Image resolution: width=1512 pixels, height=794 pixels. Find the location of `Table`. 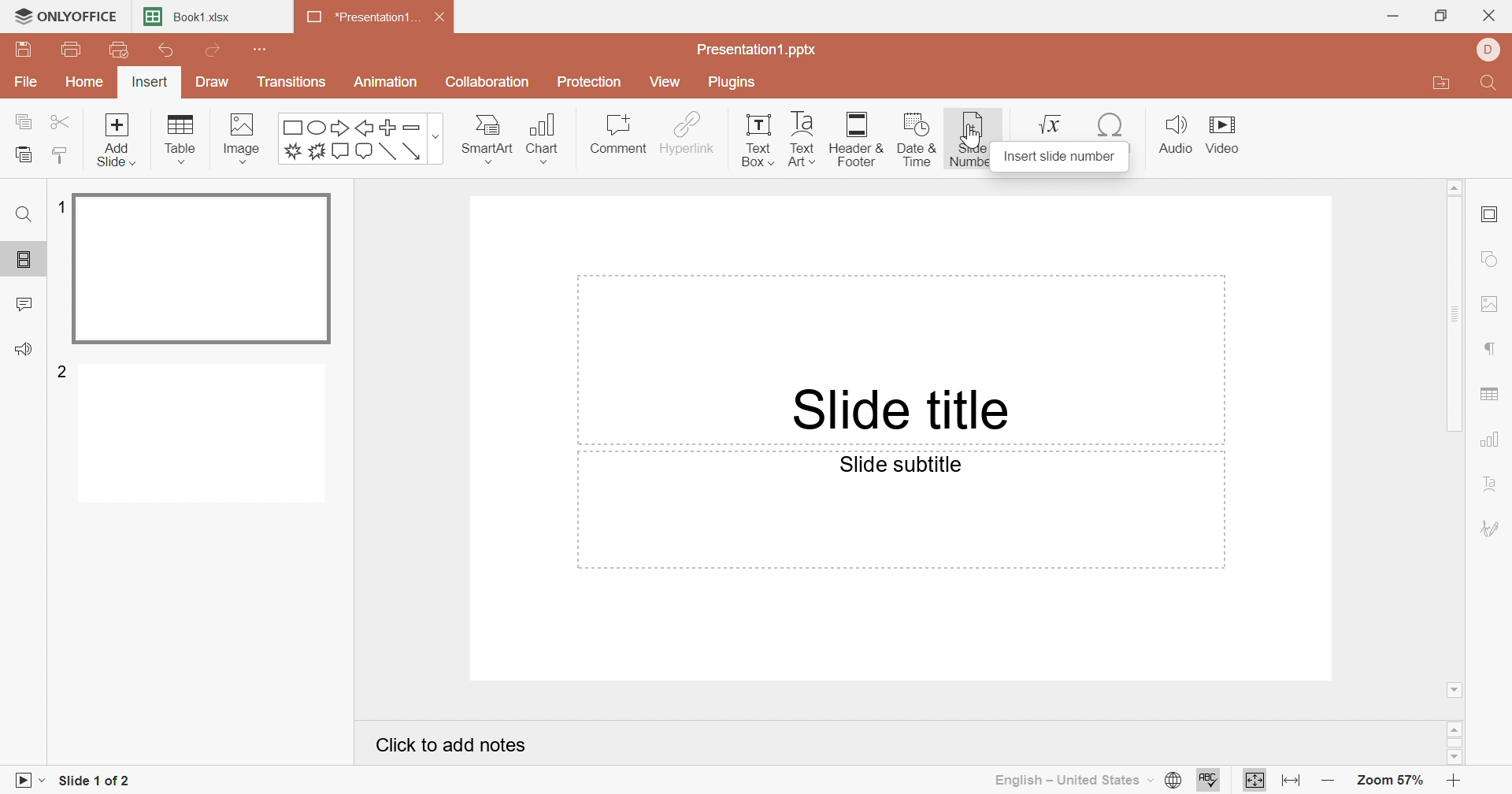

Table is located at coordinates (182, 139).